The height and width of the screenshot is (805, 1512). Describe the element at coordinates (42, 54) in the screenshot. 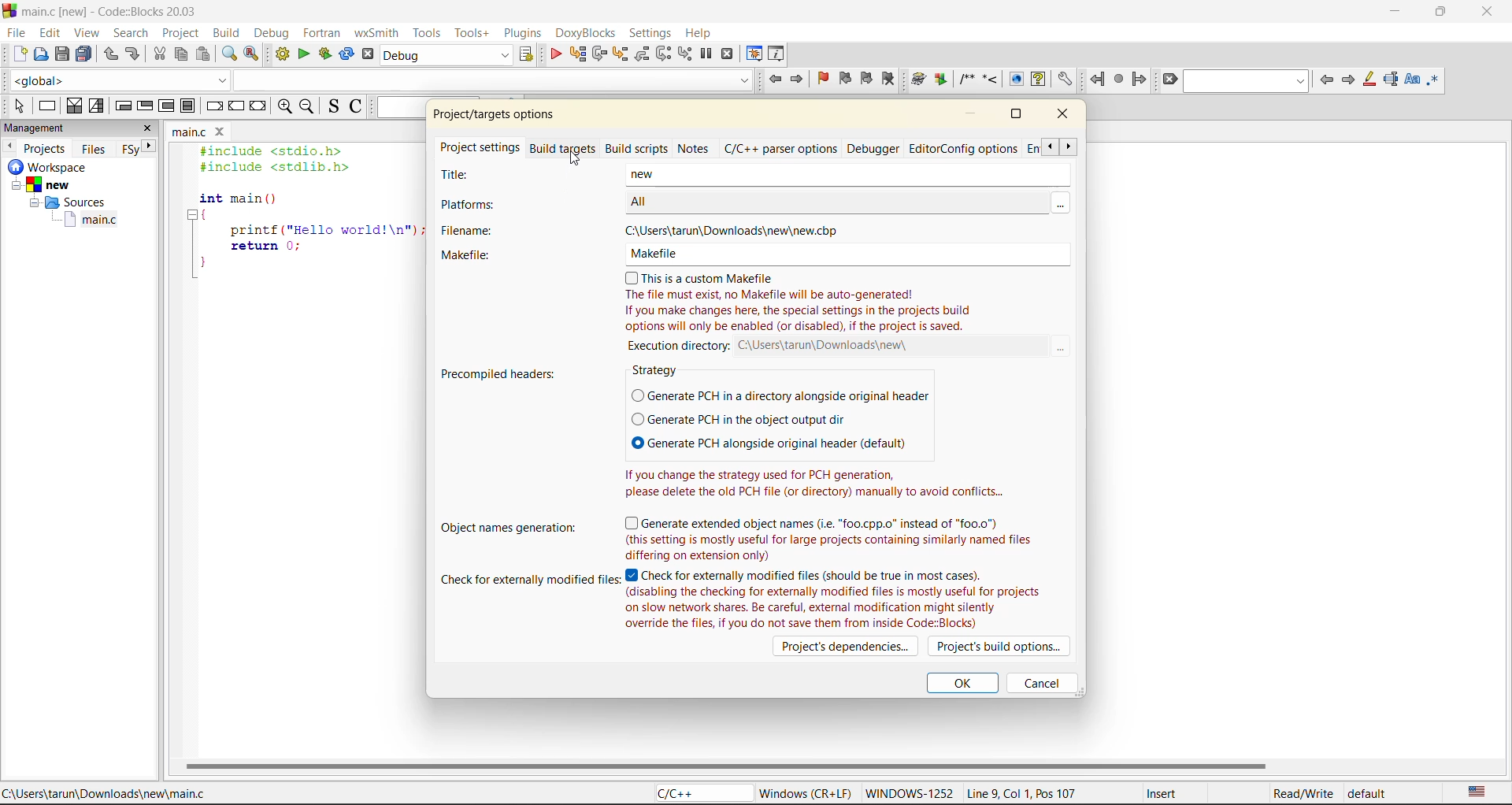

I see `open` at that location.